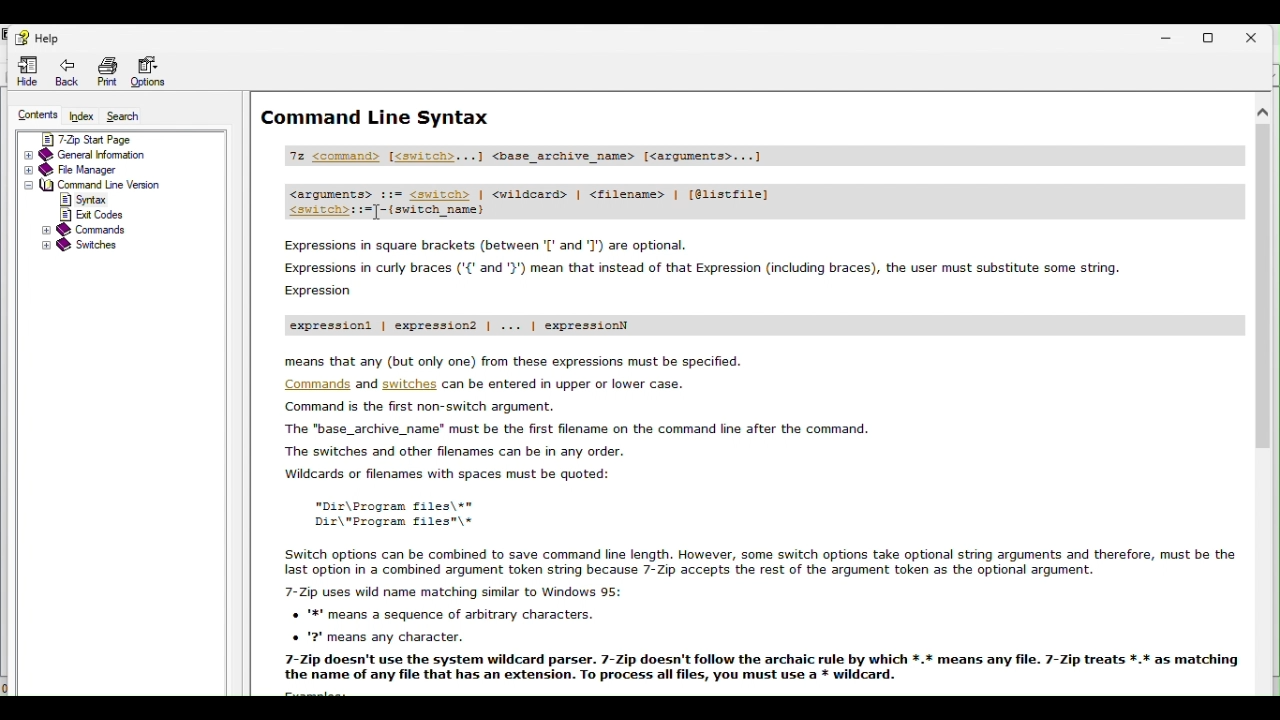 The image size is (1280, 720). I want to click on Hide, so click(30, 70).